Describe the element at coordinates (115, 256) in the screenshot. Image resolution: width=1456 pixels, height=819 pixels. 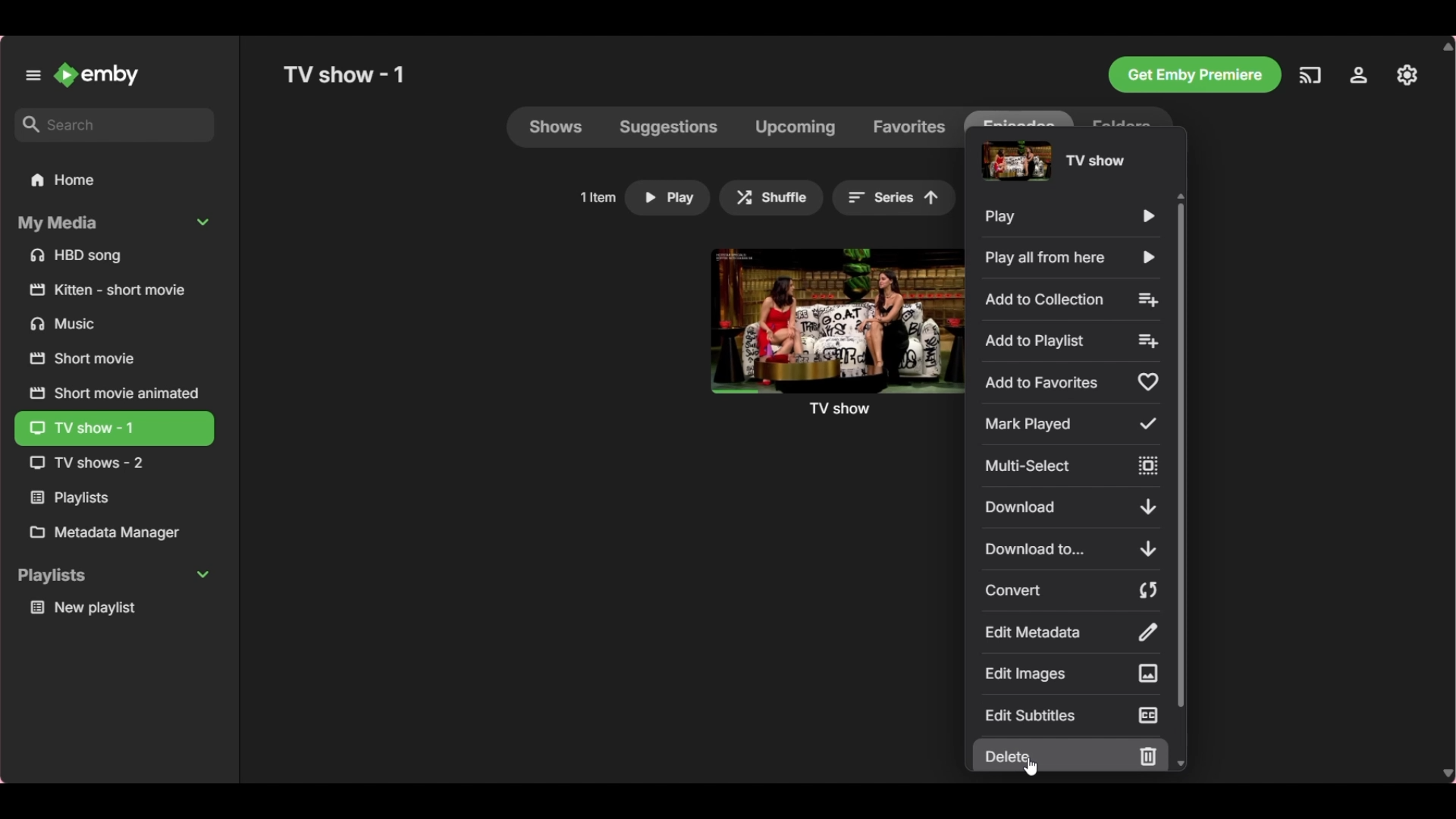
I see `Song` at that location.